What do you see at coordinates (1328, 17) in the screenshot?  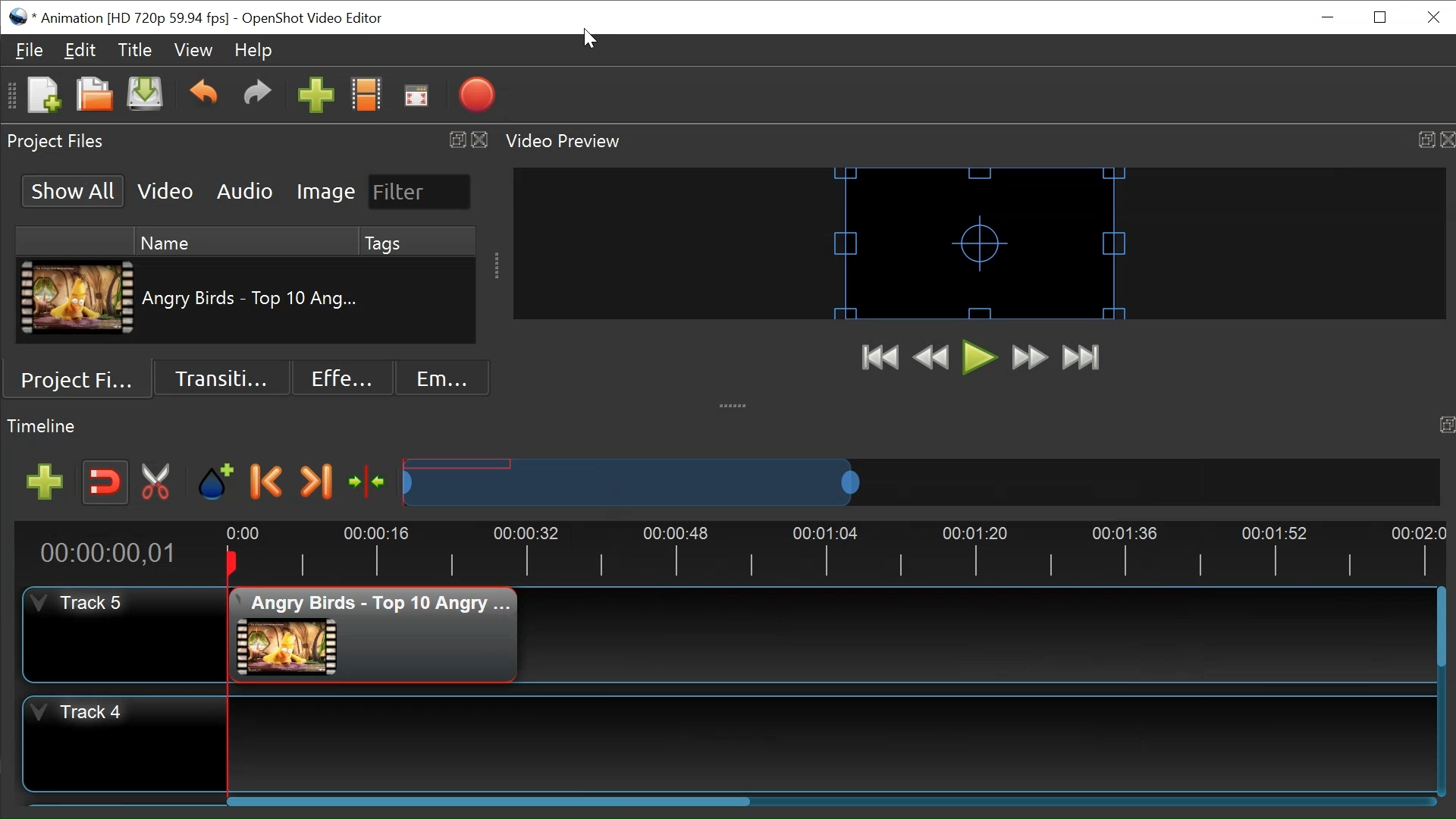 I see `minimize` at bounding box center [1328, 17].